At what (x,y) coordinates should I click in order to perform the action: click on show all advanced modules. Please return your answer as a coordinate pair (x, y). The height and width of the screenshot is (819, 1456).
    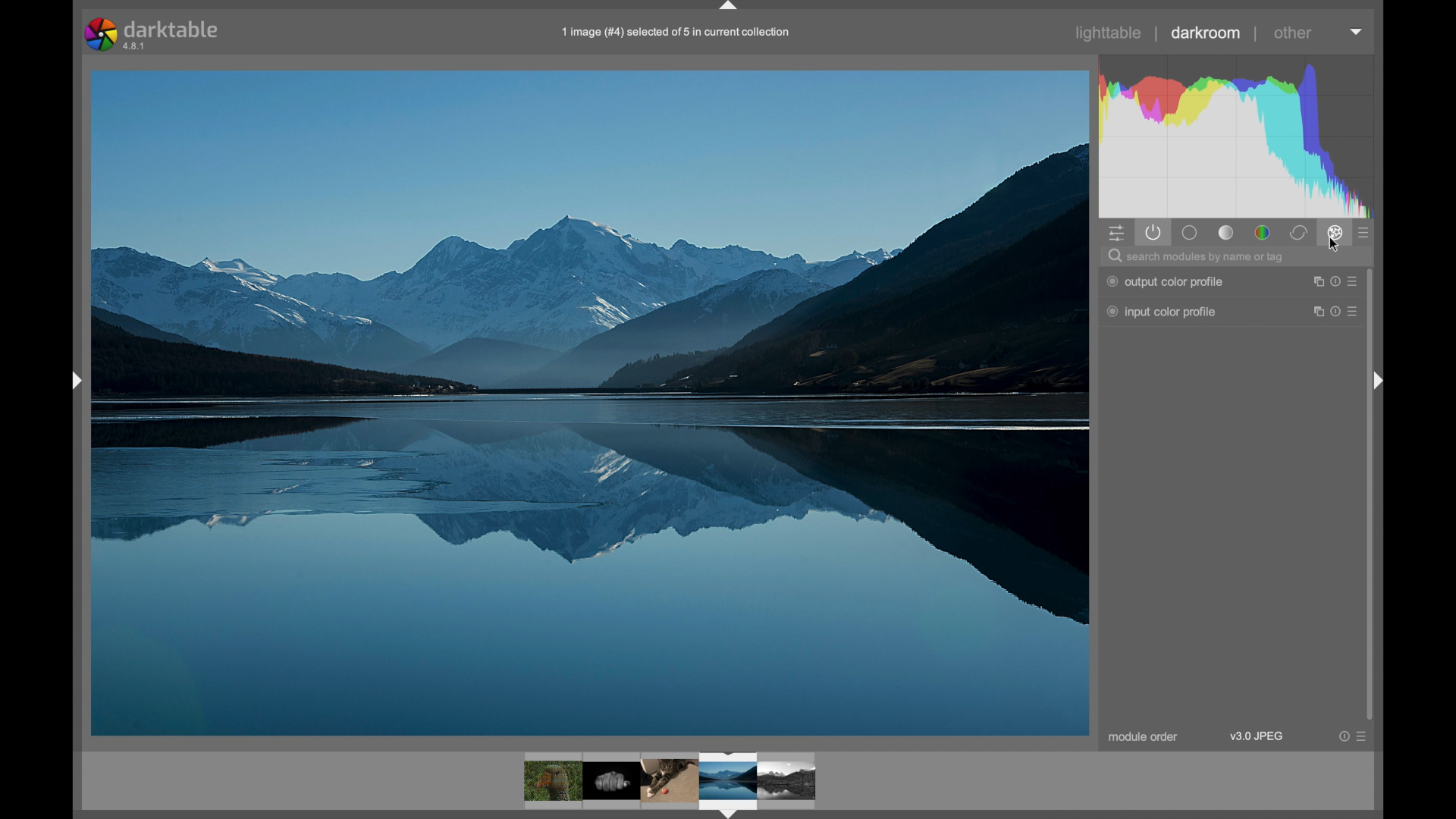
    Looking at the image, I should click on (1364, 234).